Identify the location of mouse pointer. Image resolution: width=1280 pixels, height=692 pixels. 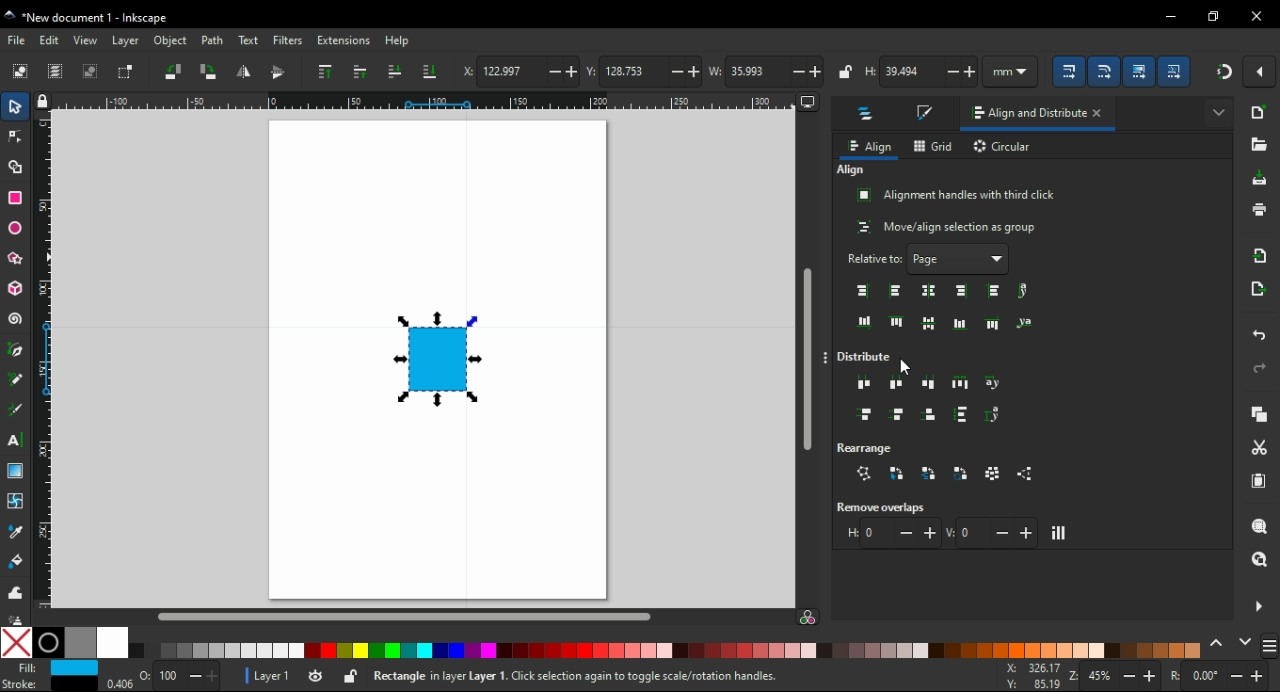
(906, 368).